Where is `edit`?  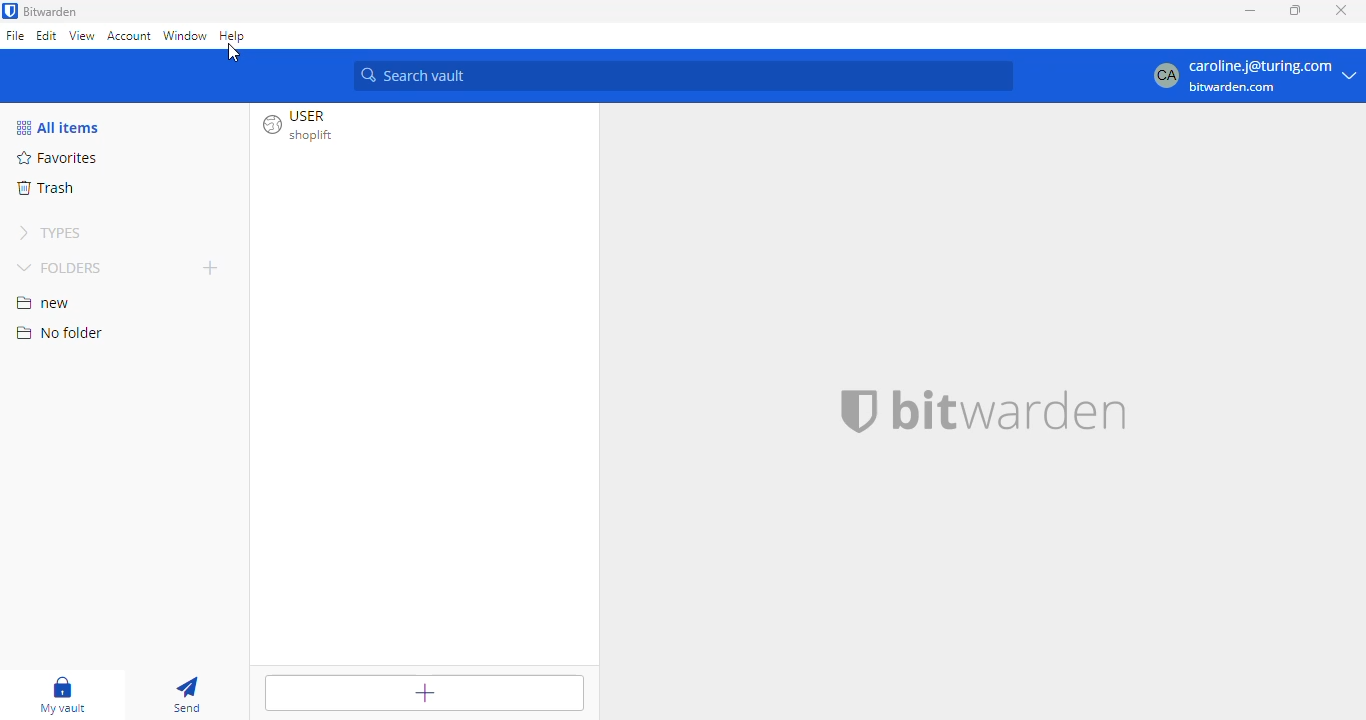
edit is located at coordinates (47, 35).